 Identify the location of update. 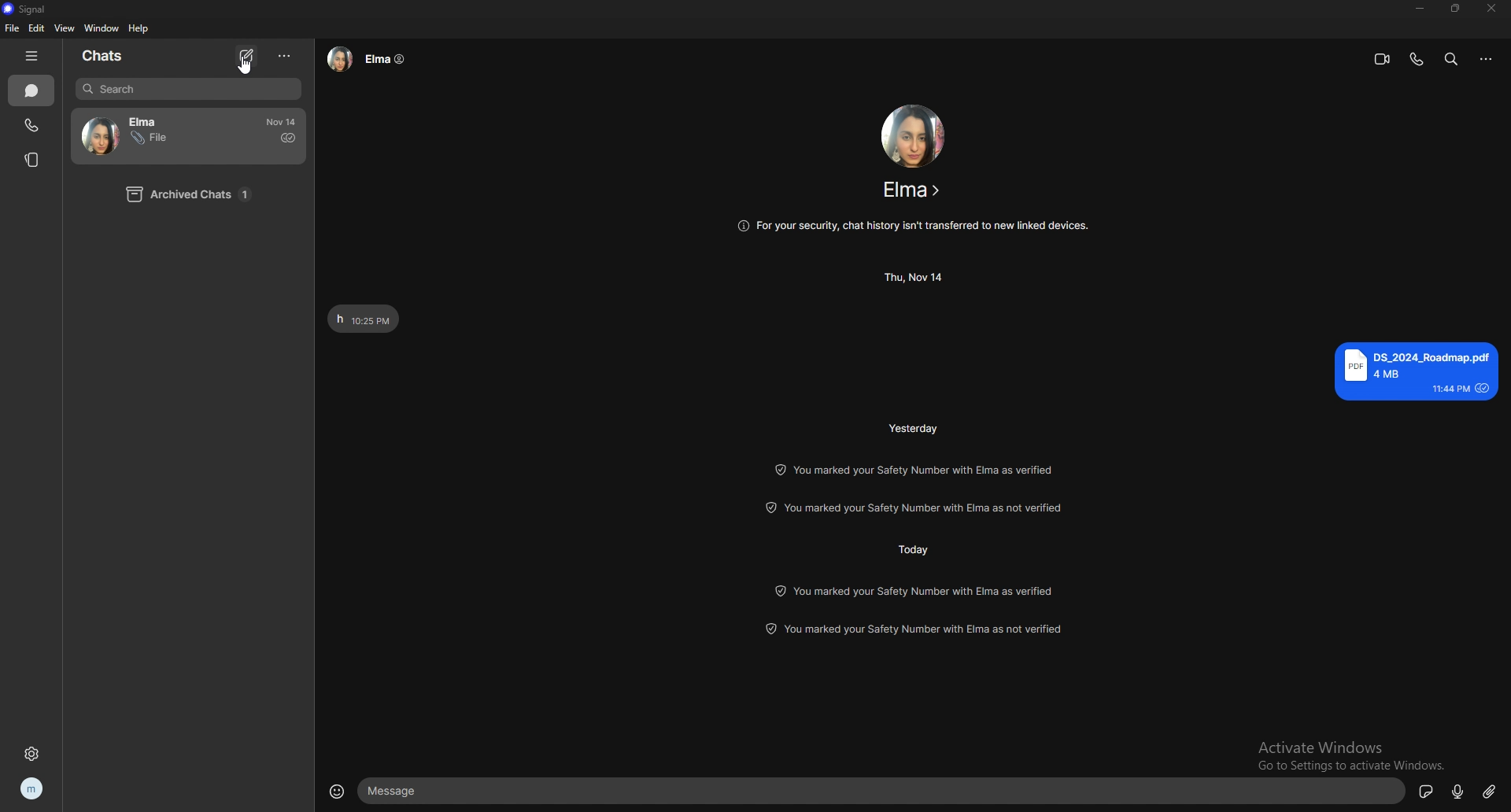
(918, 630).